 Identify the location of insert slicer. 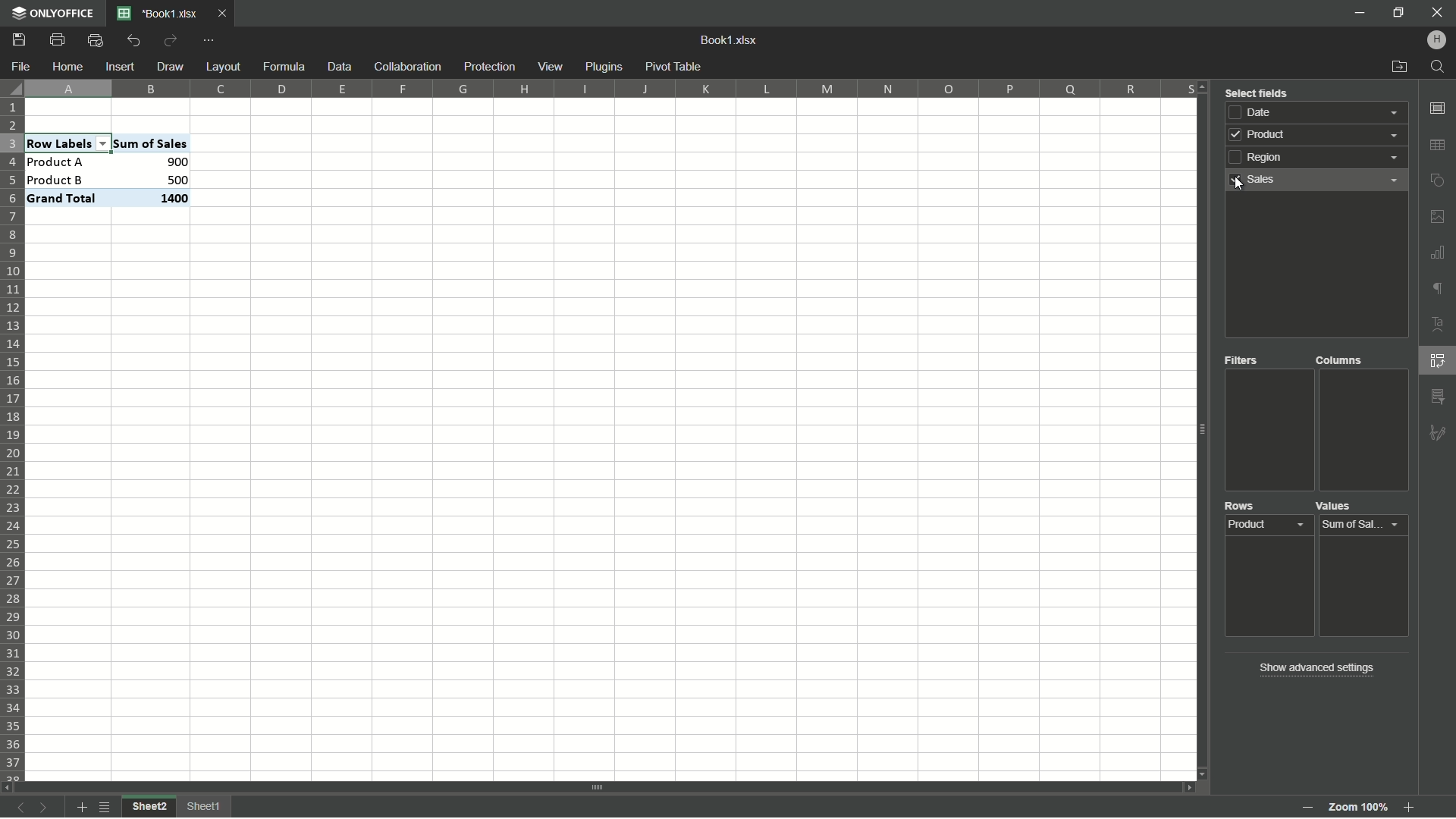
(1438, 395).